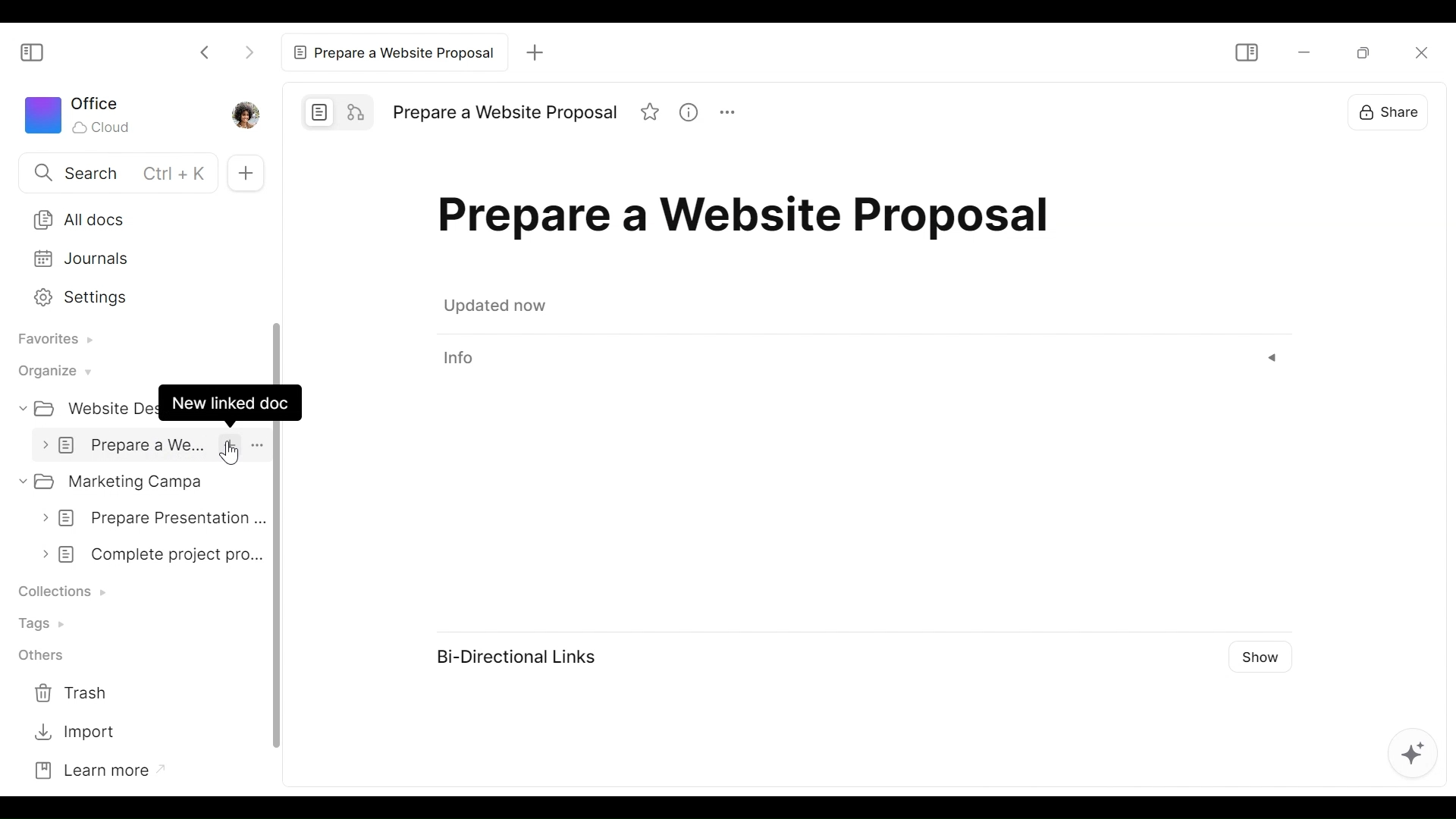 Image resolution: width=1456 pixels, height=819 pixels. I want to click on Forward, so click(248, 52).